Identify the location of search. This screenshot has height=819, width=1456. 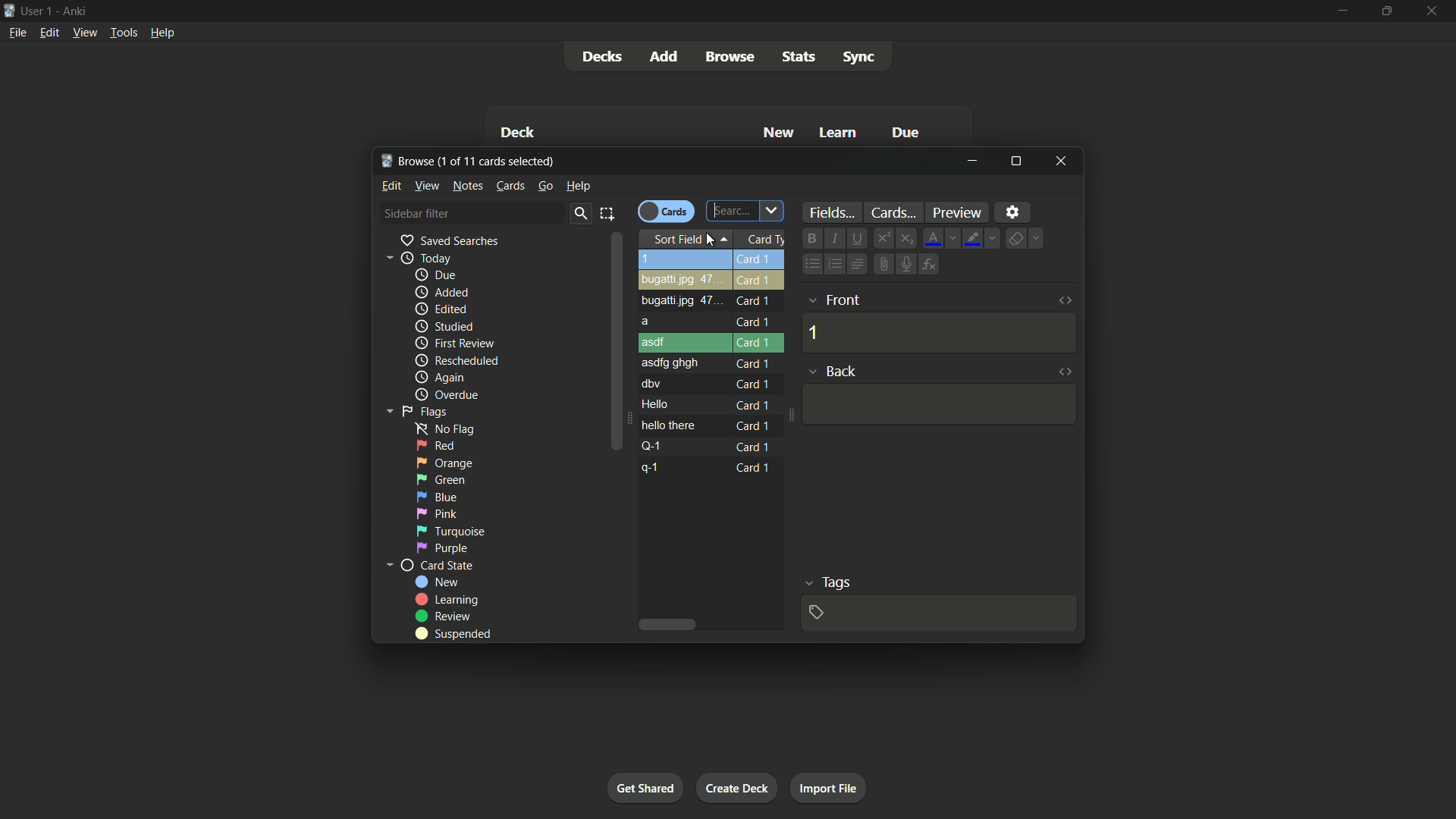
(576, 214).